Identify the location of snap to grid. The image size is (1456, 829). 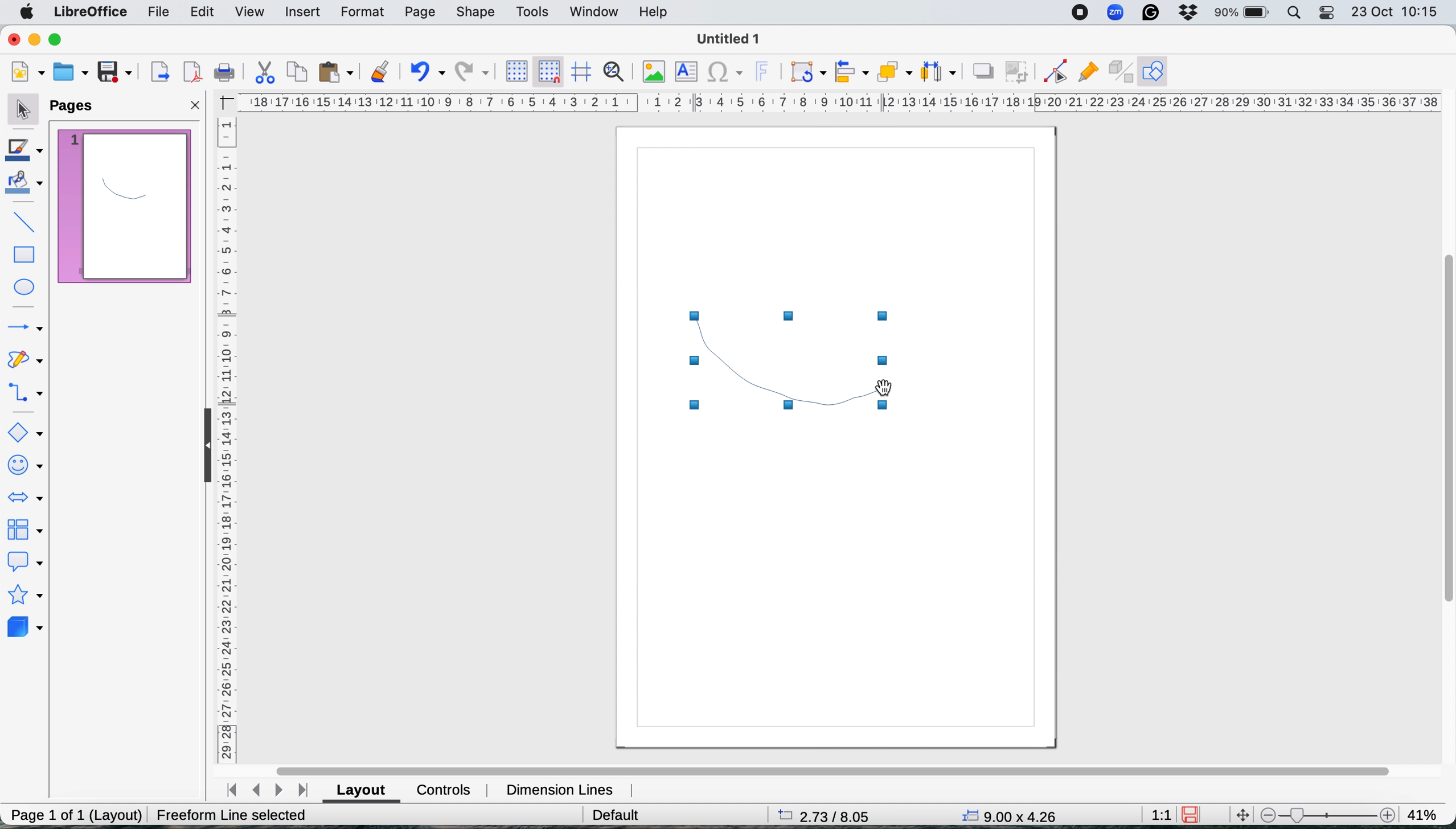
(549, 72).